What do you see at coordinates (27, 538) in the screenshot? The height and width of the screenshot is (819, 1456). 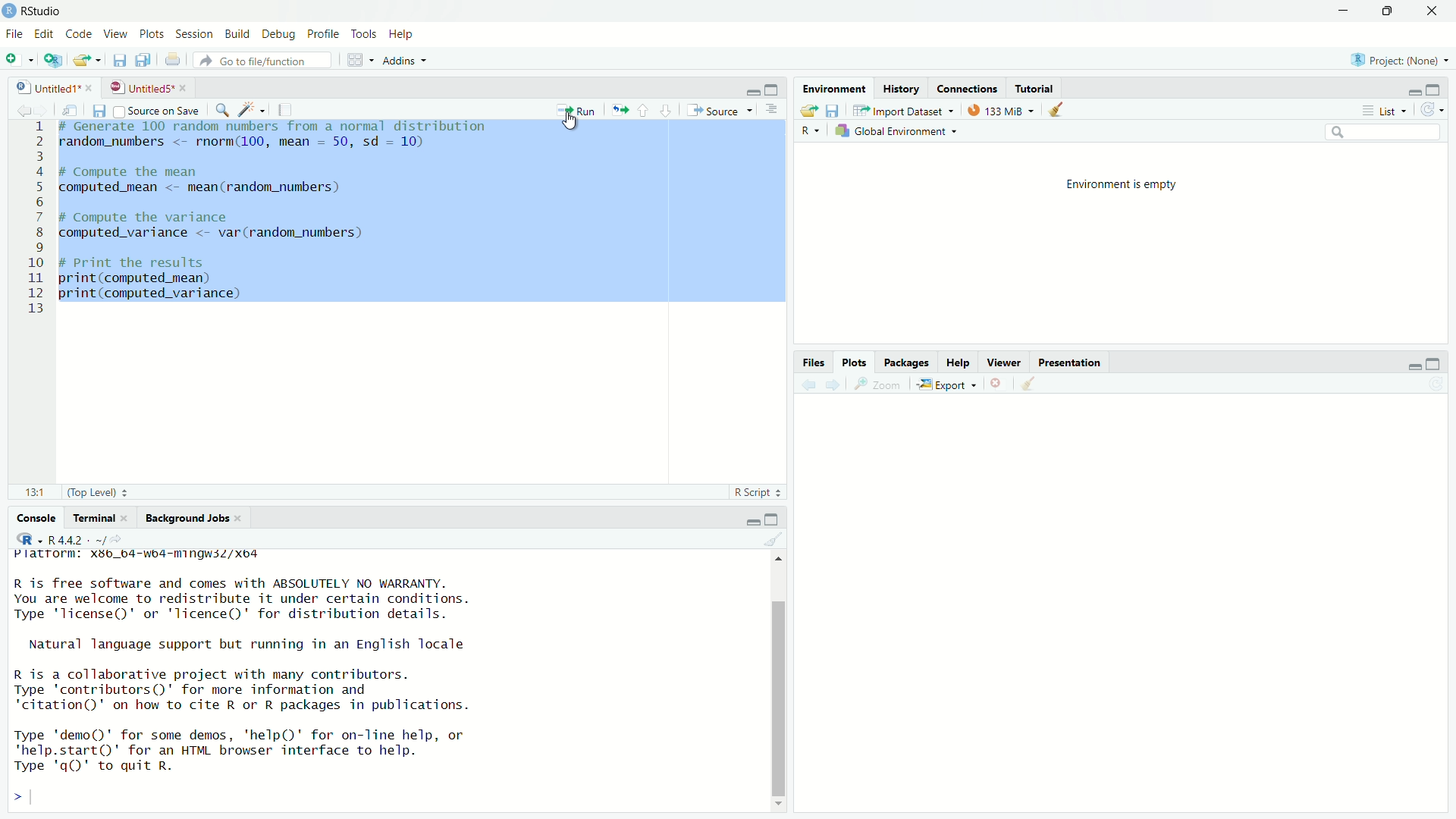 I see `select language` at bounding box center [27, 538].